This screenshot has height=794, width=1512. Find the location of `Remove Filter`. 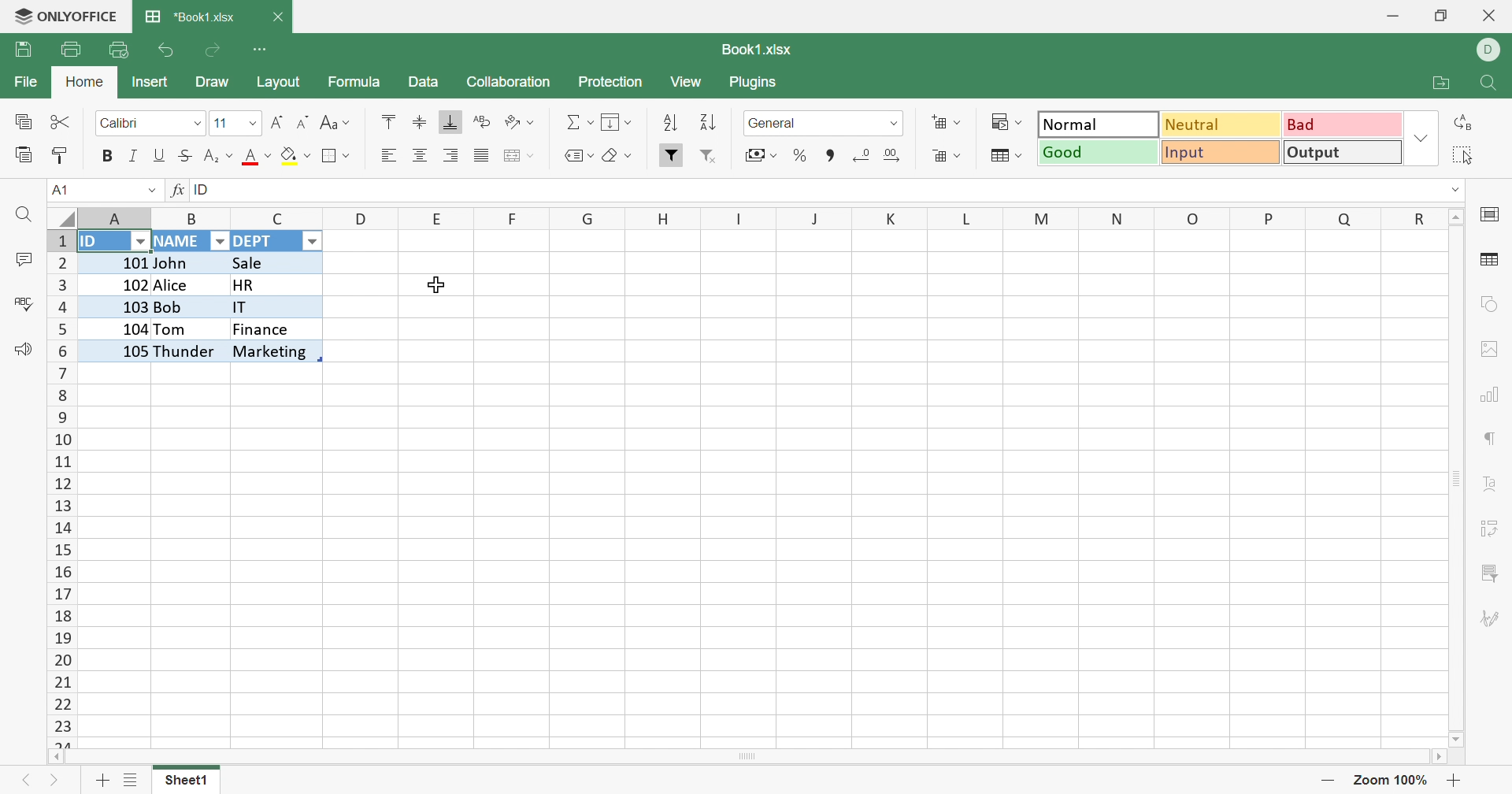

Remove Filter is located at coordinates (707, 155).